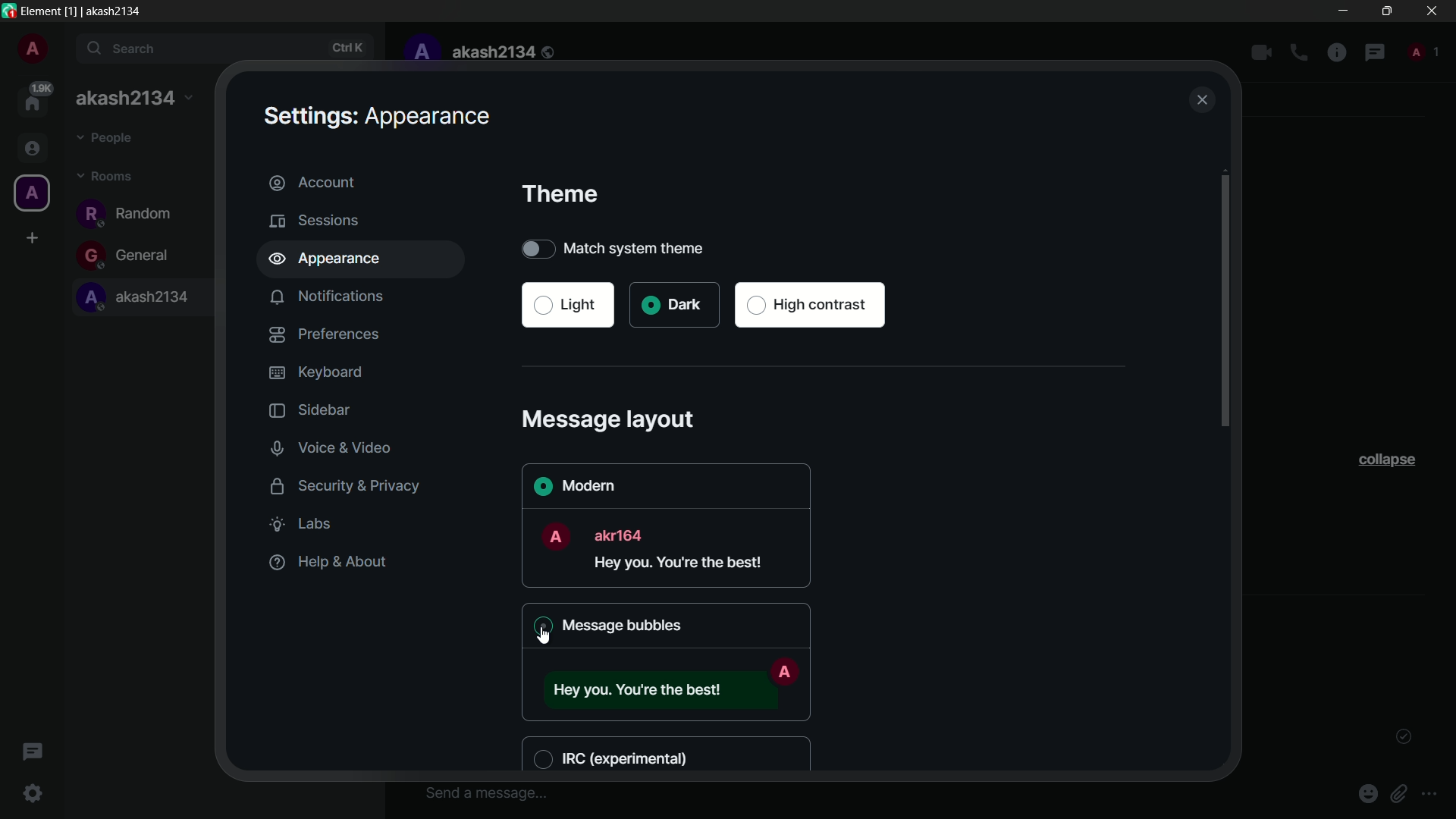 This screenshot has height=819, width=1456. What do you see at coordinates (1402, 793) in the screenshot?
I see `attach` at bounding box center [1402, 793].